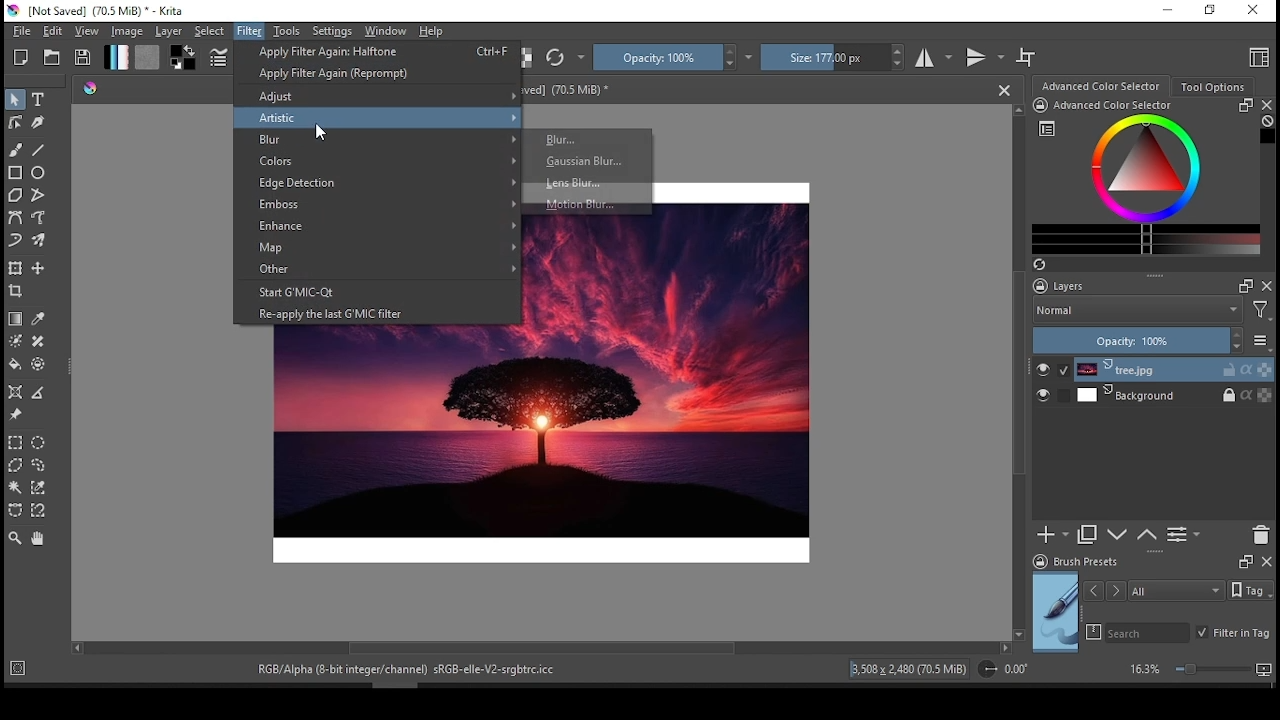 The height and width of the screenshot is (720, 1280). I want to click on , so click(1031, 58).